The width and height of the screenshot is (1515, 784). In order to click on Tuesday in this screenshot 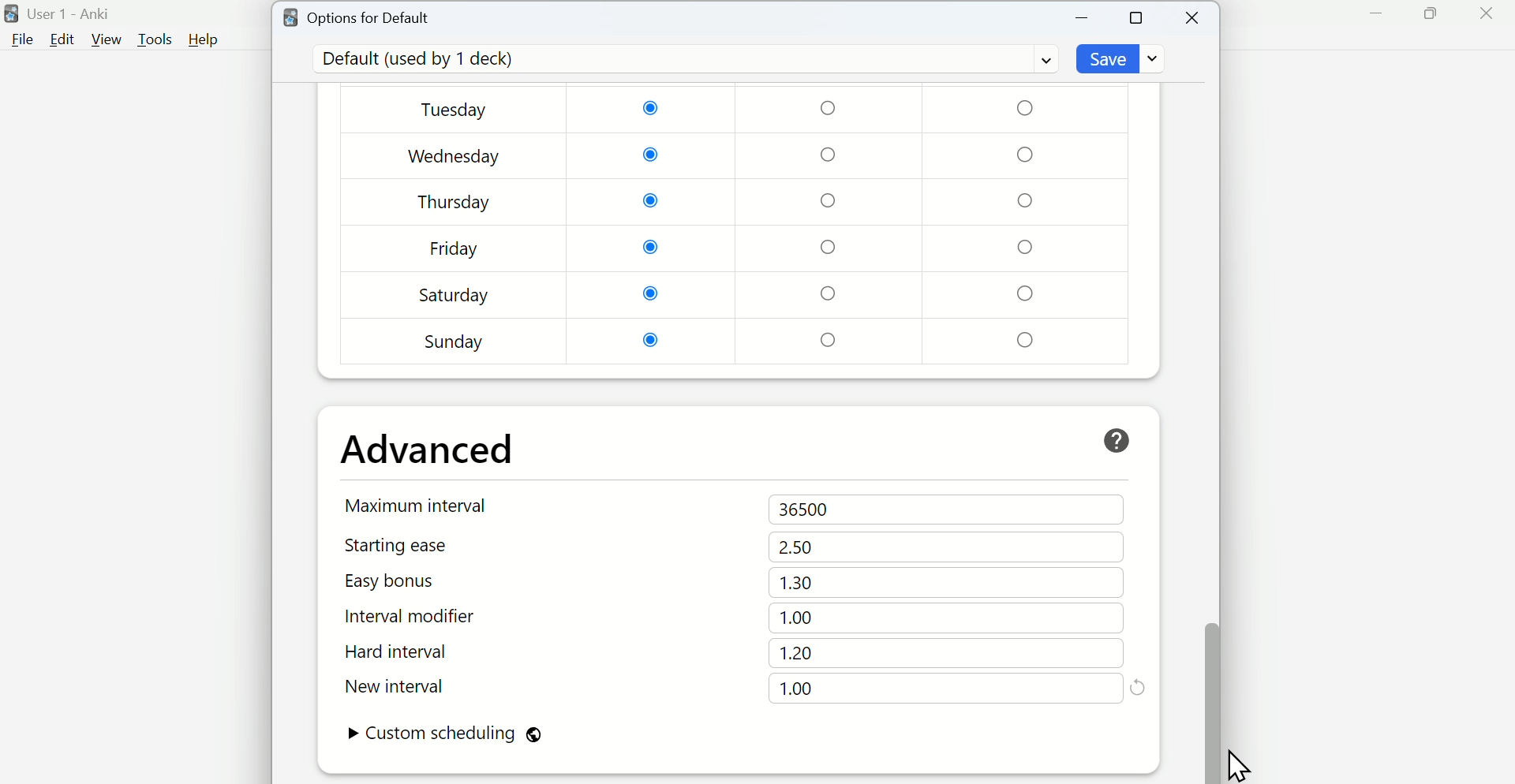, I will do `click(457, 111)`.